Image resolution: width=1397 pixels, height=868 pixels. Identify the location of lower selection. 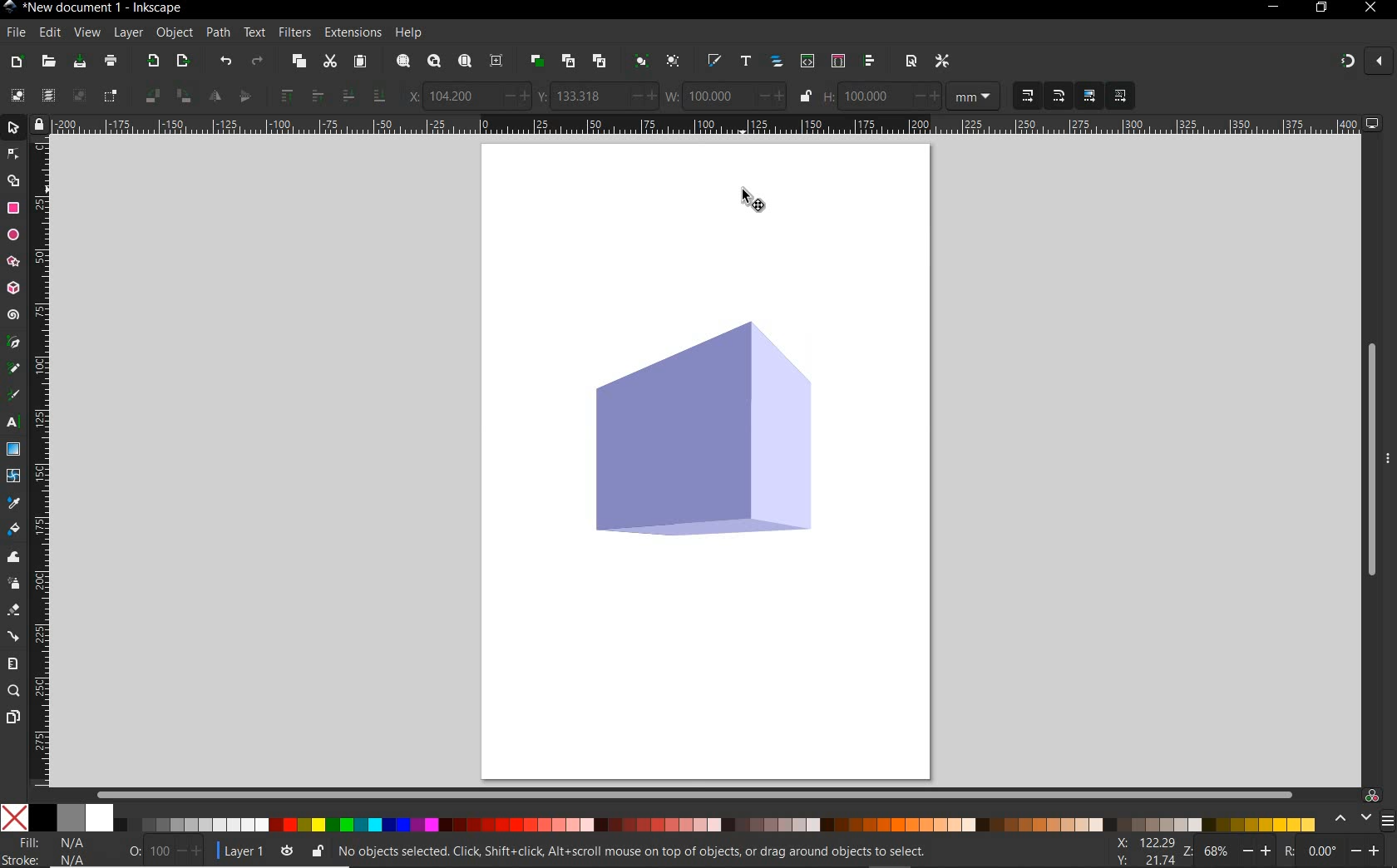
(380, 96).